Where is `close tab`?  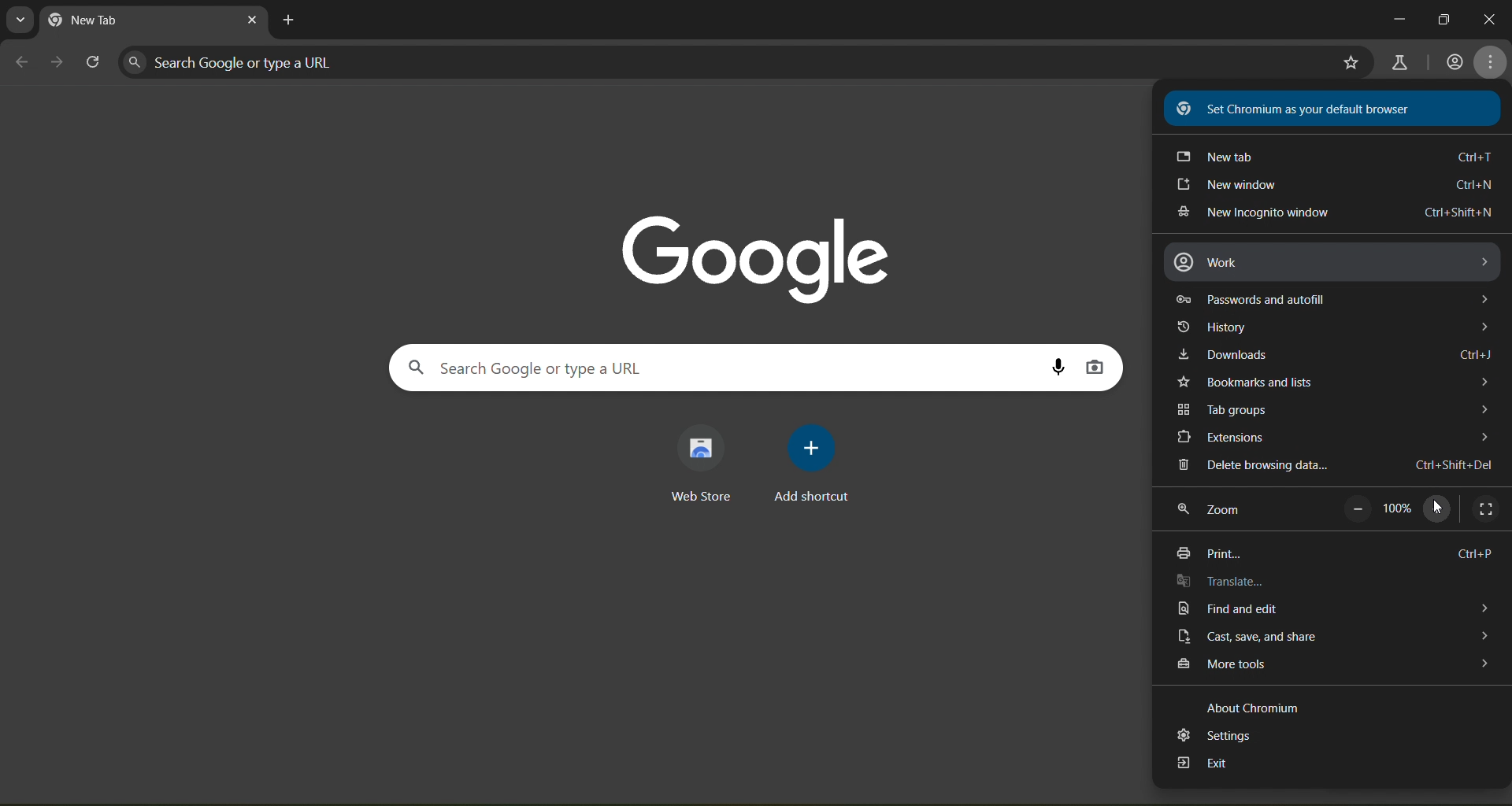 close tab is located at coordinates (252, 23).